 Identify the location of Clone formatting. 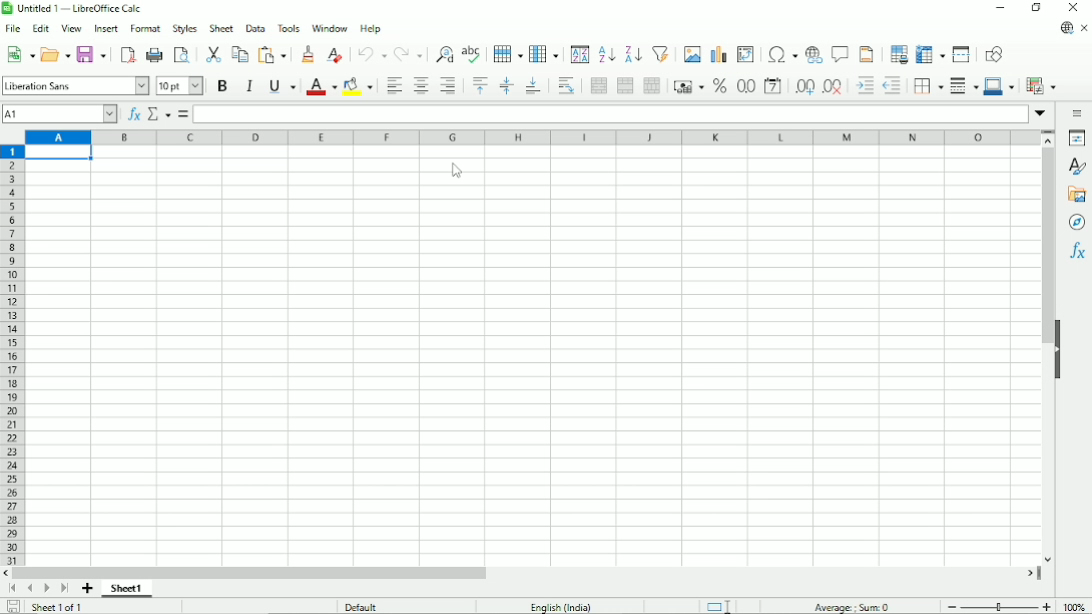
(308, 55).